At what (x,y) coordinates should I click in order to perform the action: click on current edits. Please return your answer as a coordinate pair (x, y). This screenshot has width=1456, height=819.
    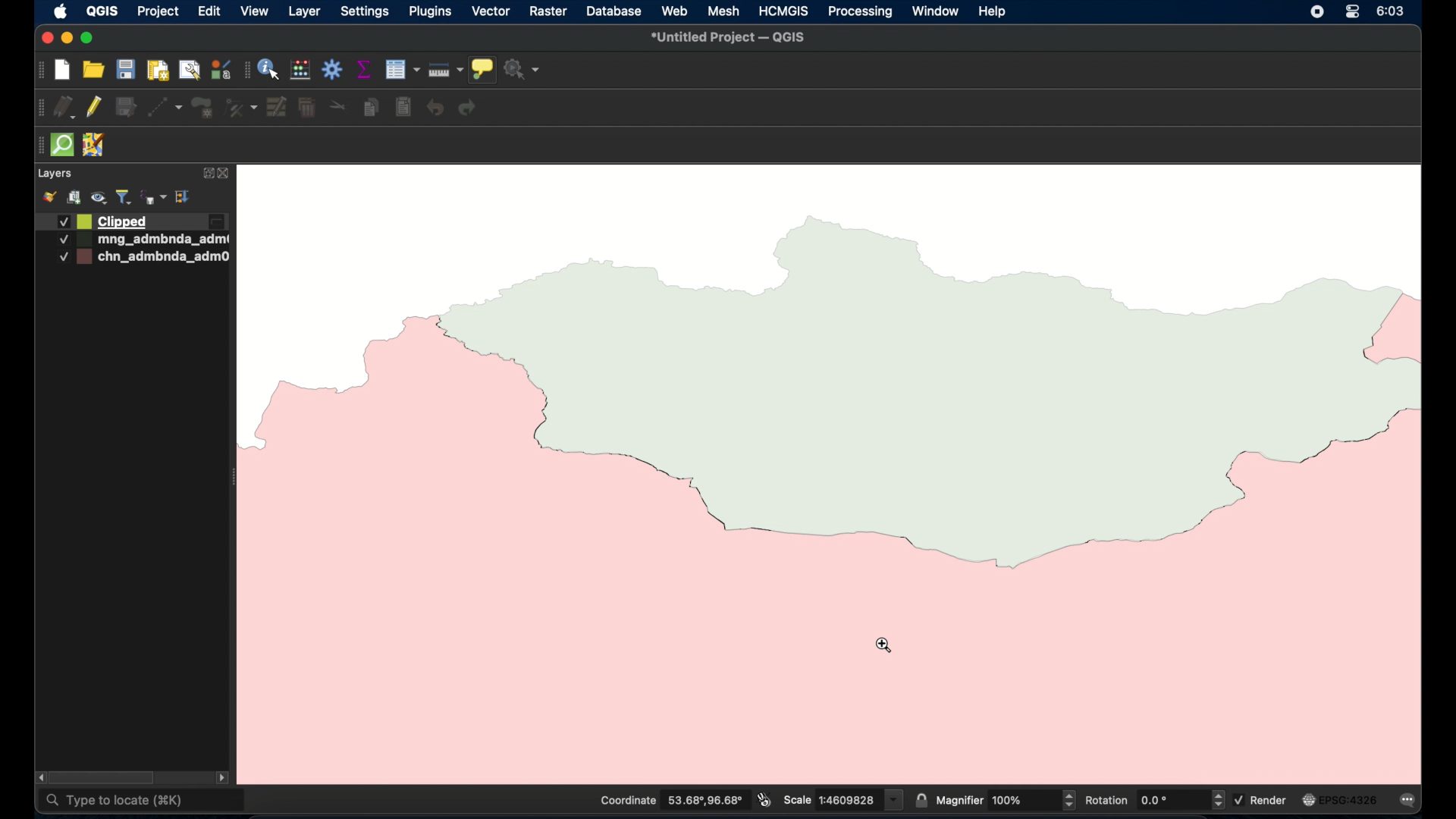
    Looking at the image, I should click on (65, 108).